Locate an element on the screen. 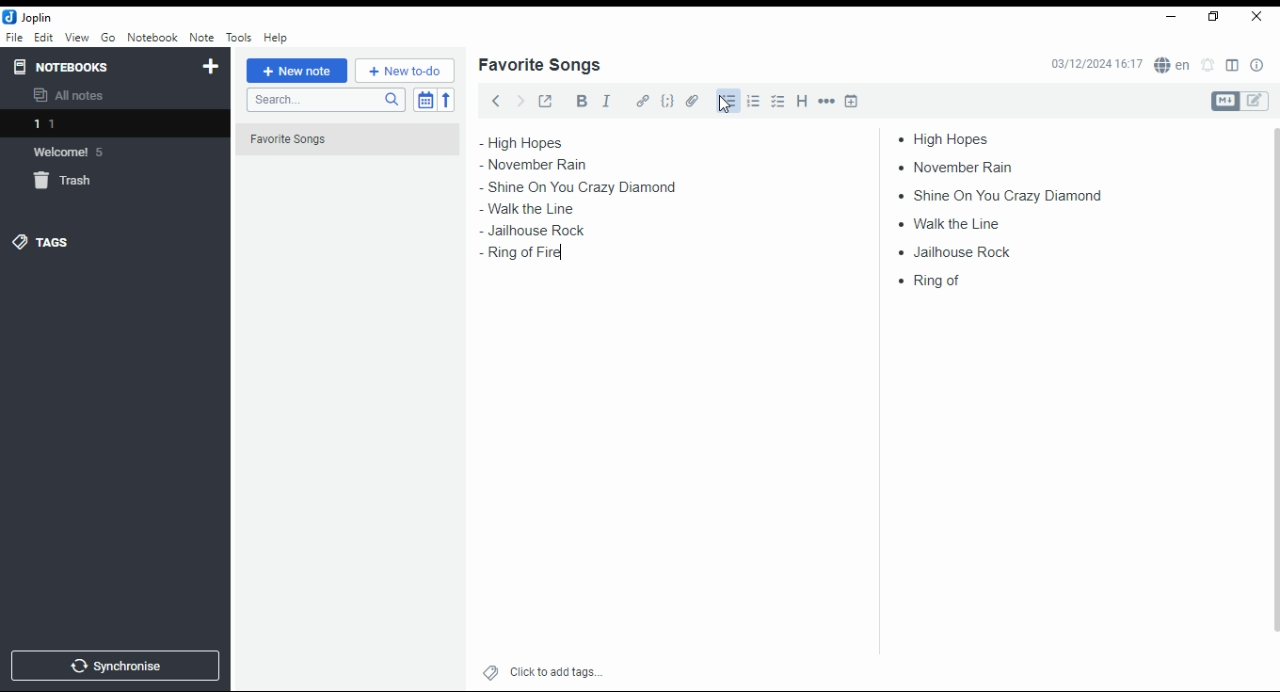 This screenshot has width=1280, height=692. high hopes is located at coordinates (547, 143).